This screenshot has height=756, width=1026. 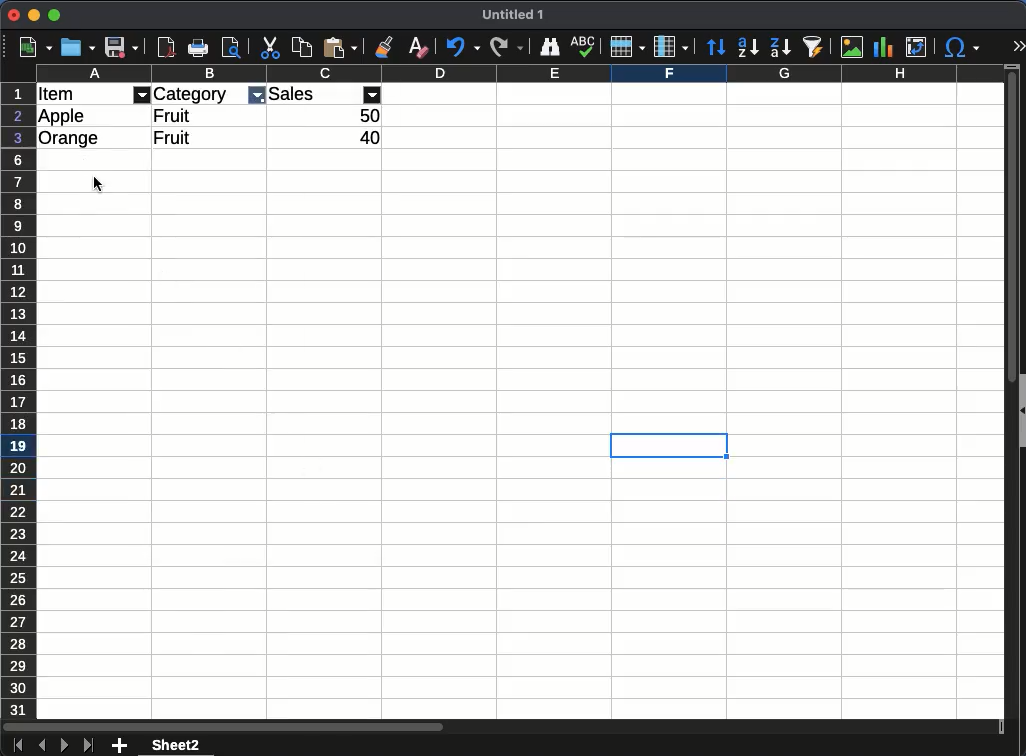 I want to click on maximize, so click(x=53, y=15).